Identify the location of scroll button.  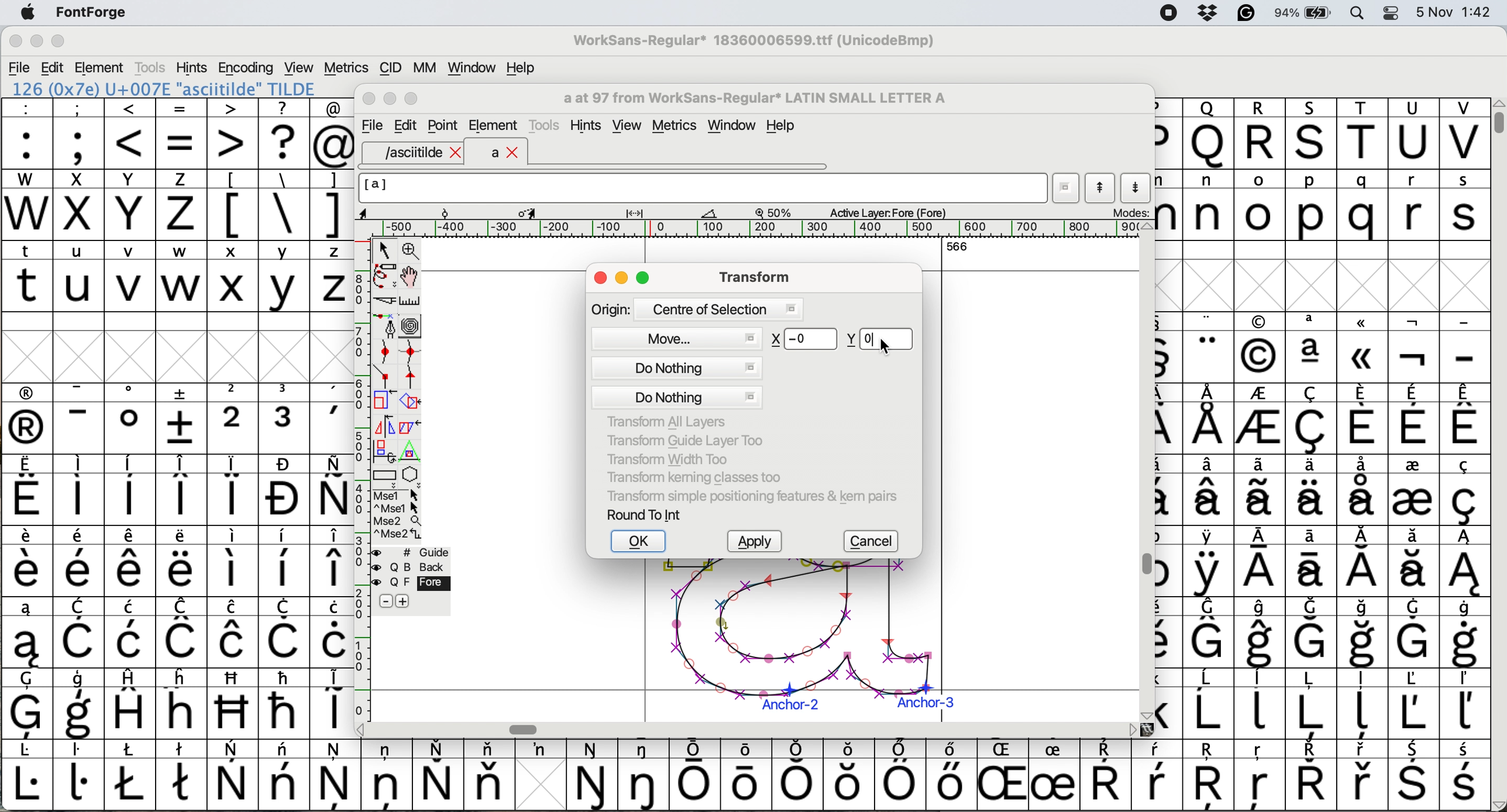
(1145, 714).